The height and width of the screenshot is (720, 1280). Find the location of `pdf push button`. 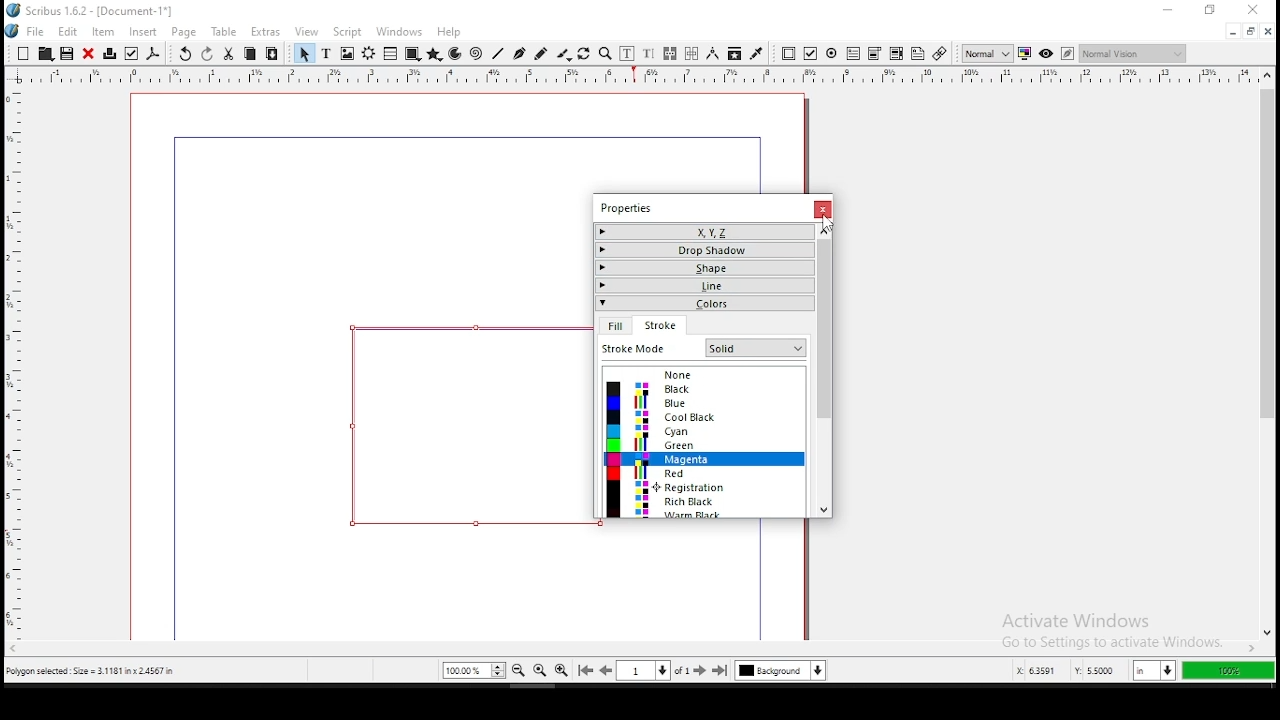

pdf push button is located at coordinates (789, 55).